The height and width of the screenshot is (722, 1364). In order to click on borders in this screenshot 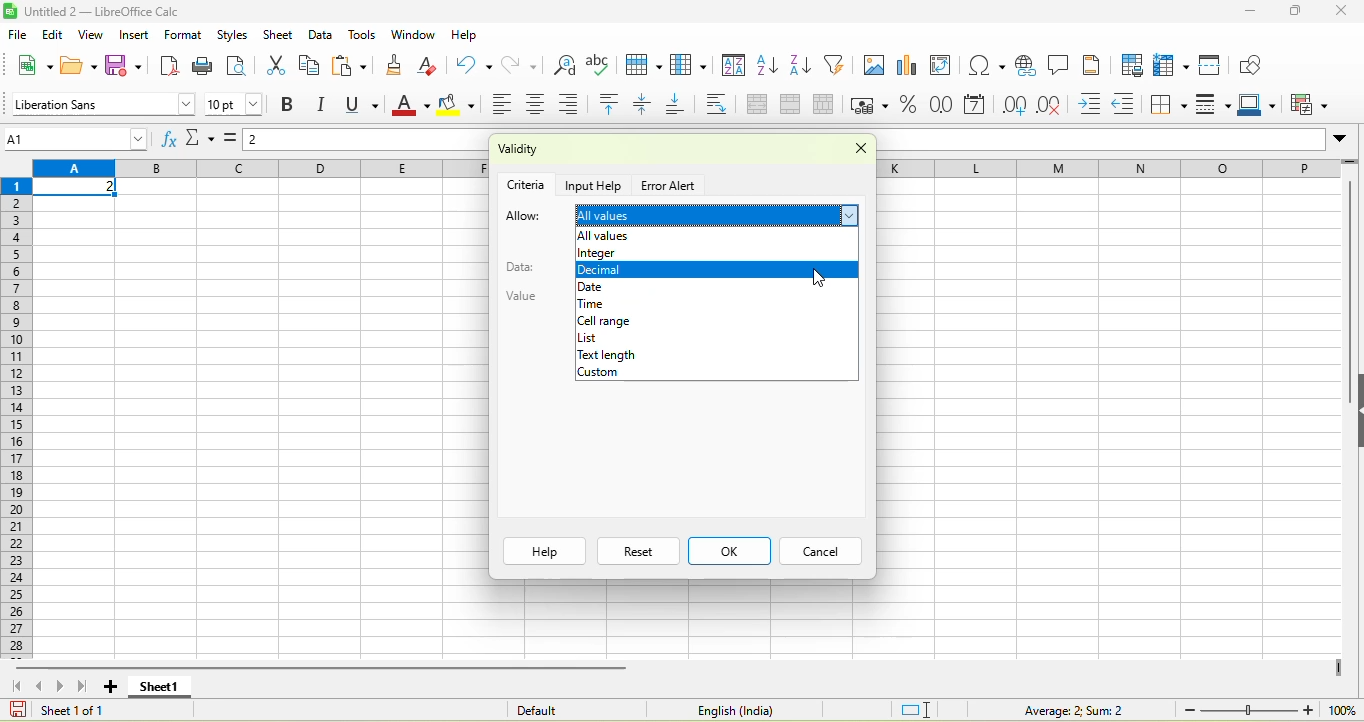, I will do `click(1170, 105)`.